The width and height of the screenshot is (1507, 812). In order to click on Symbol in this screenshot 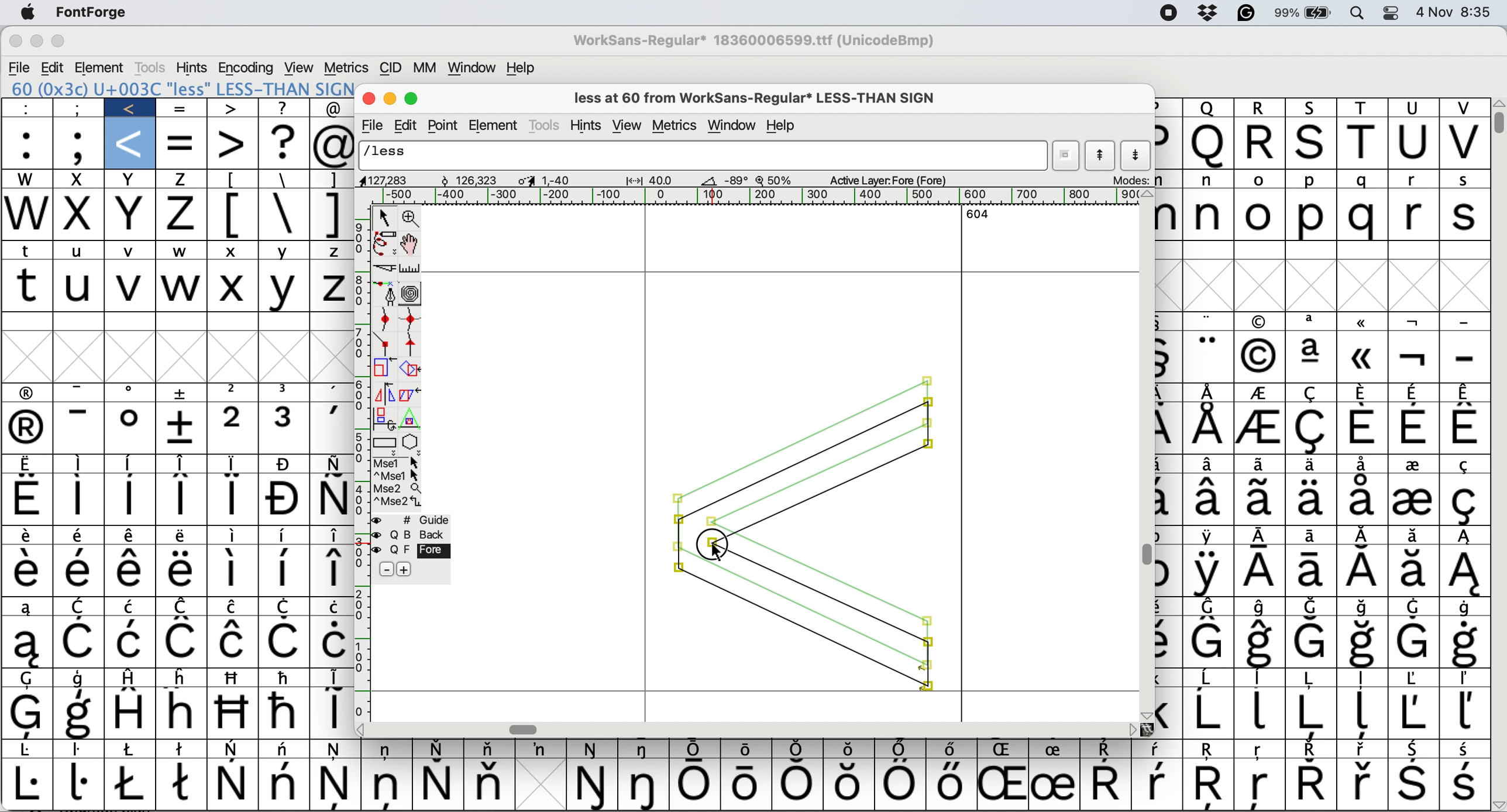, I will do `click(135, 749)`.